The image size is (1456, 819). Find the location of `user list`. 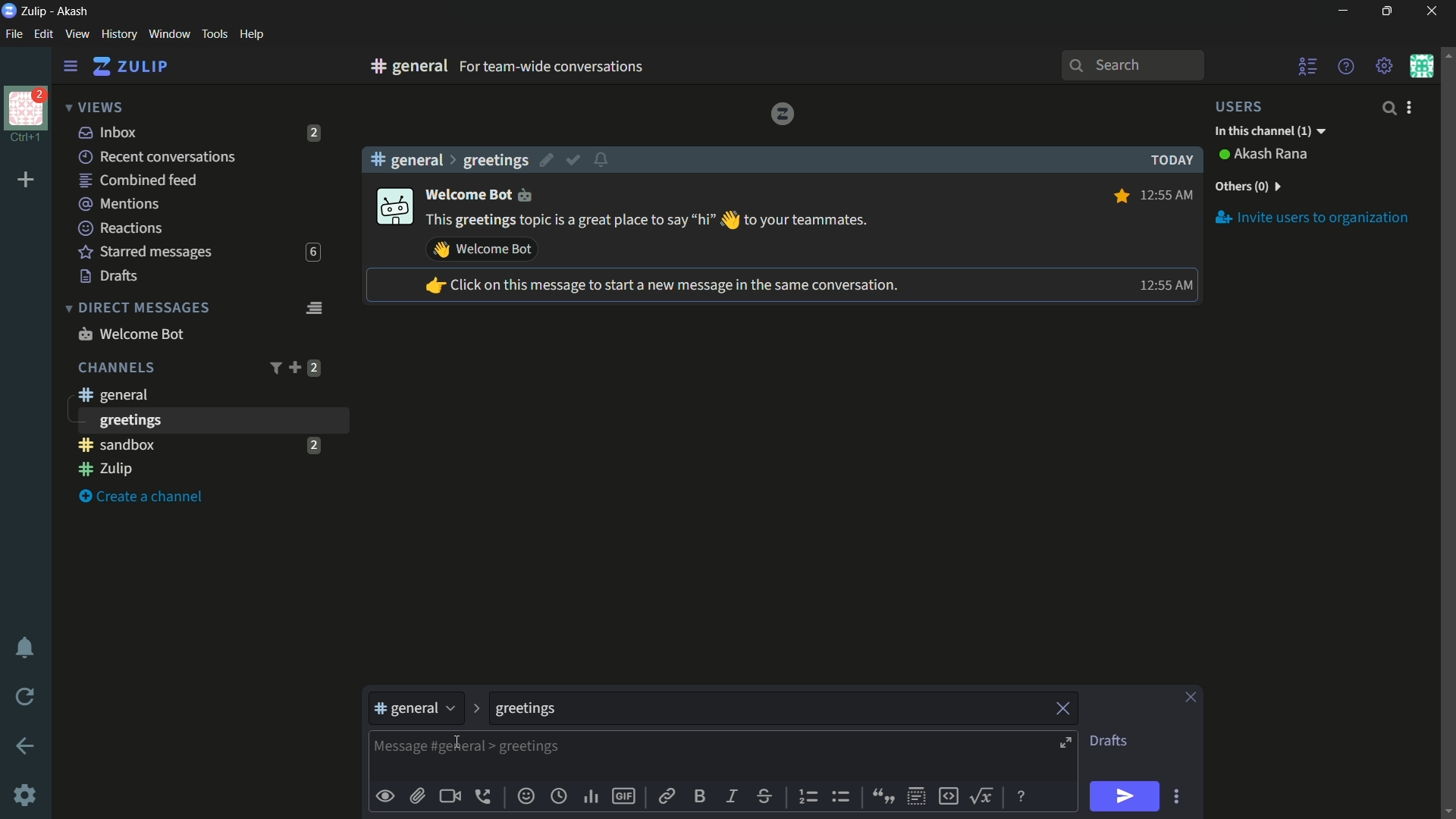

user list is located at coordinates (1309, 66).